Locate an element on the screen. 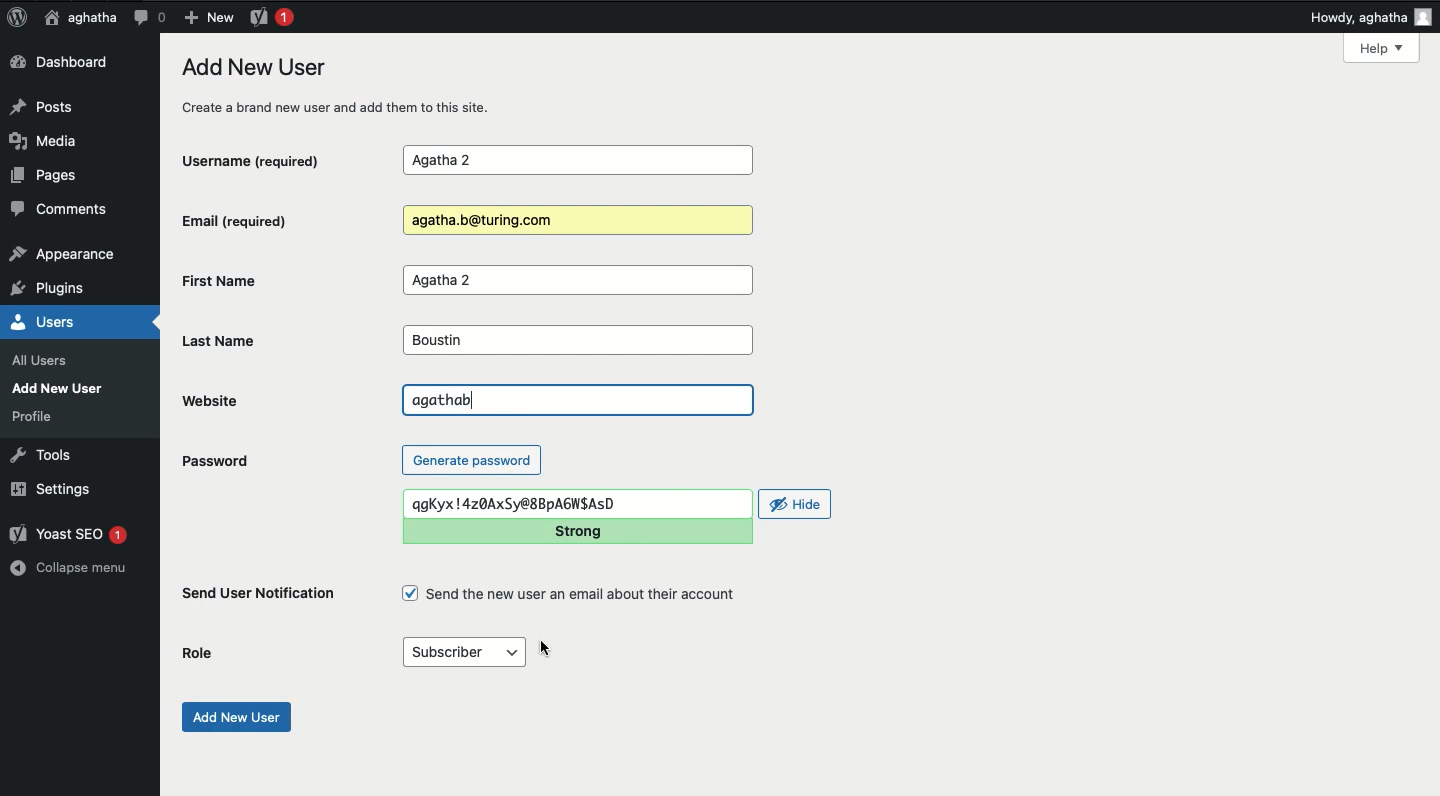 The height and width of the screenshot is (796, 1440). Logo is located at coordinates (17, 18).